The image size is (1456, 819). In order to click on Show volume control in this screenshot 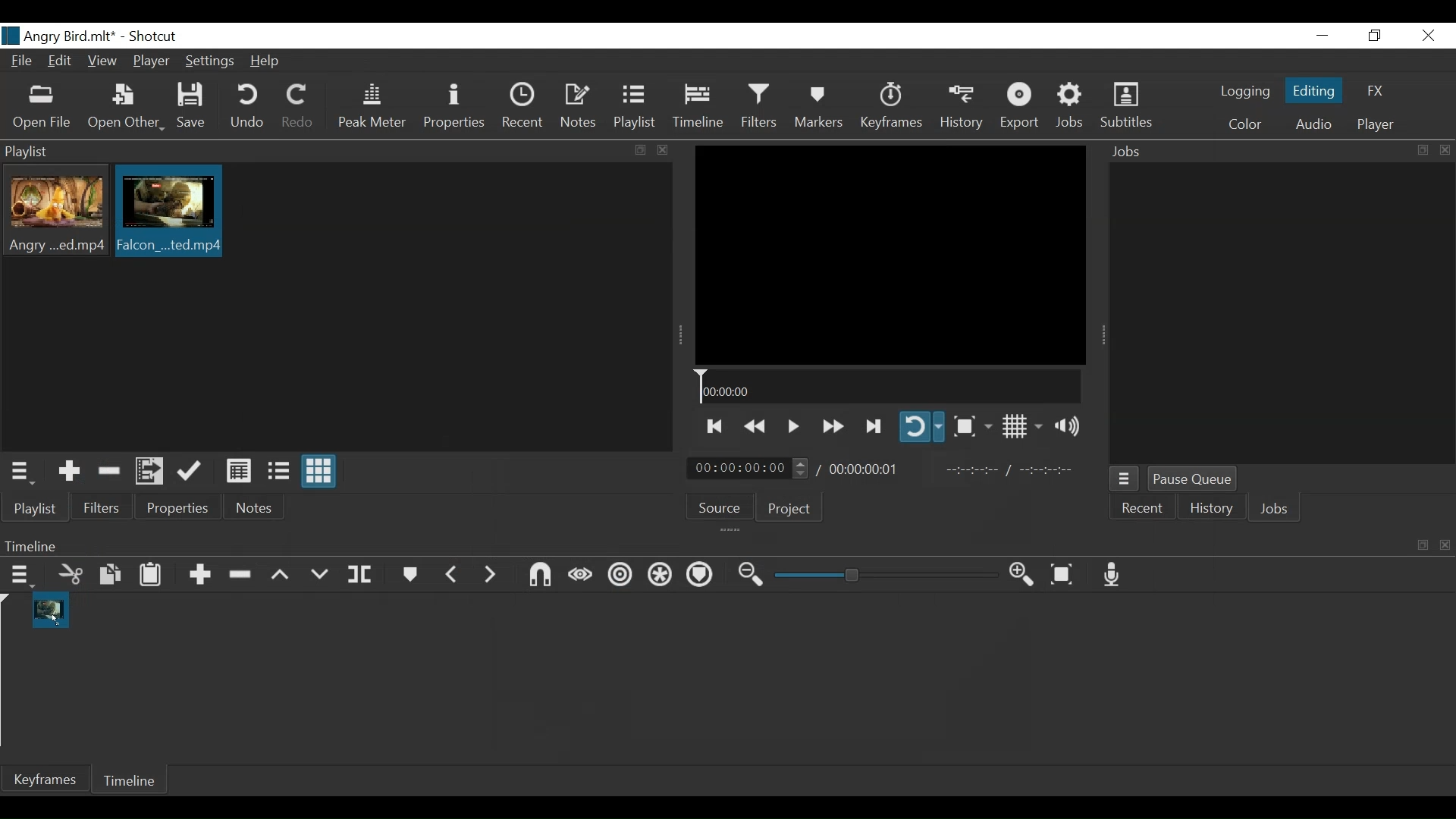, I will do `click(1073, 426)`.